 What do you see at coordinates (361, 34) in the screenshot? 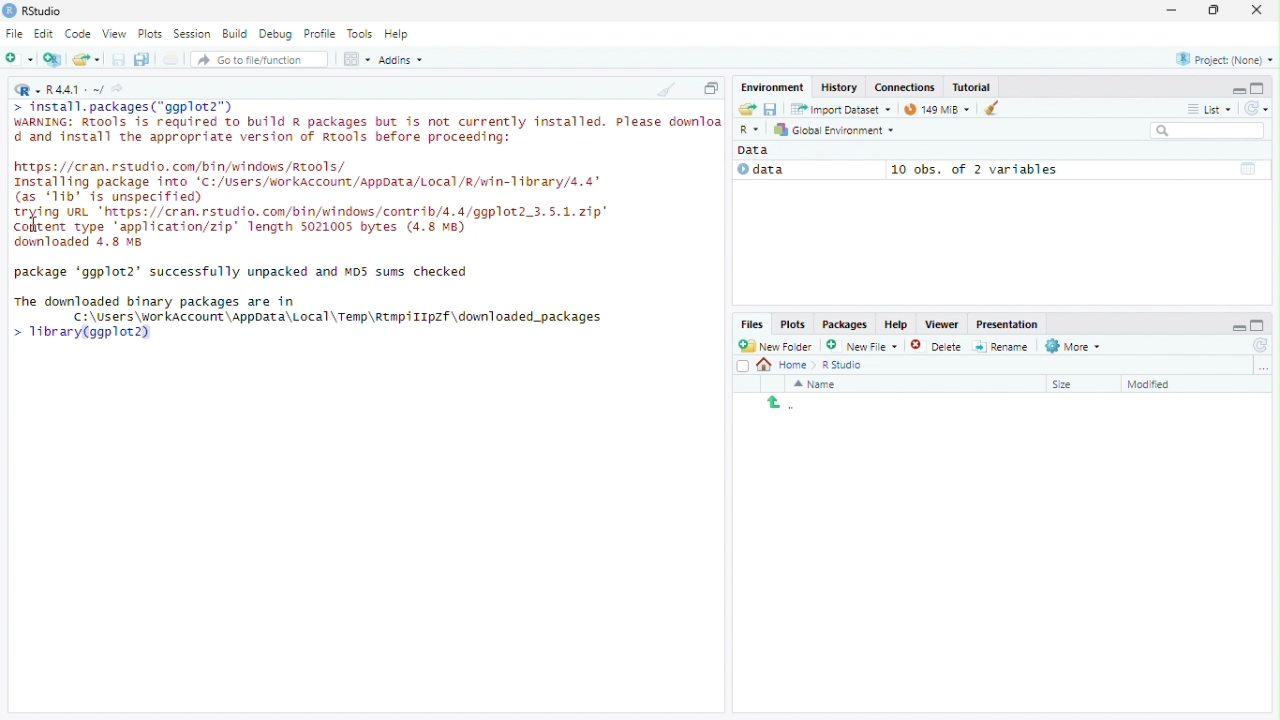
I see `Tools` at bounding box center [361, 34].